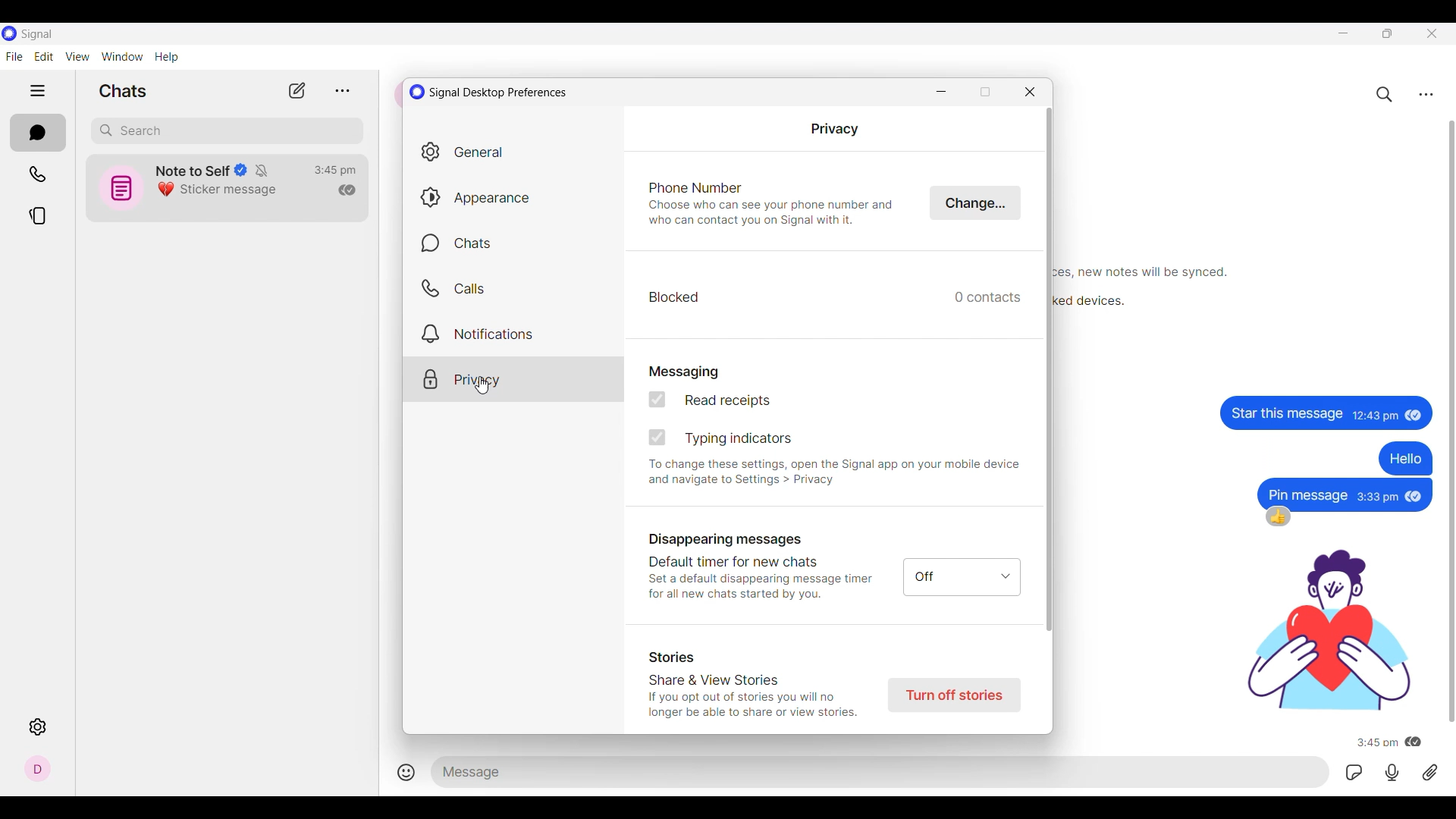 The width and height of the screenshot is (1456, 819). What do you see at coordinates (1403, 459) in the screenshot?
I see `text message` at bounding box center [1403, 459].